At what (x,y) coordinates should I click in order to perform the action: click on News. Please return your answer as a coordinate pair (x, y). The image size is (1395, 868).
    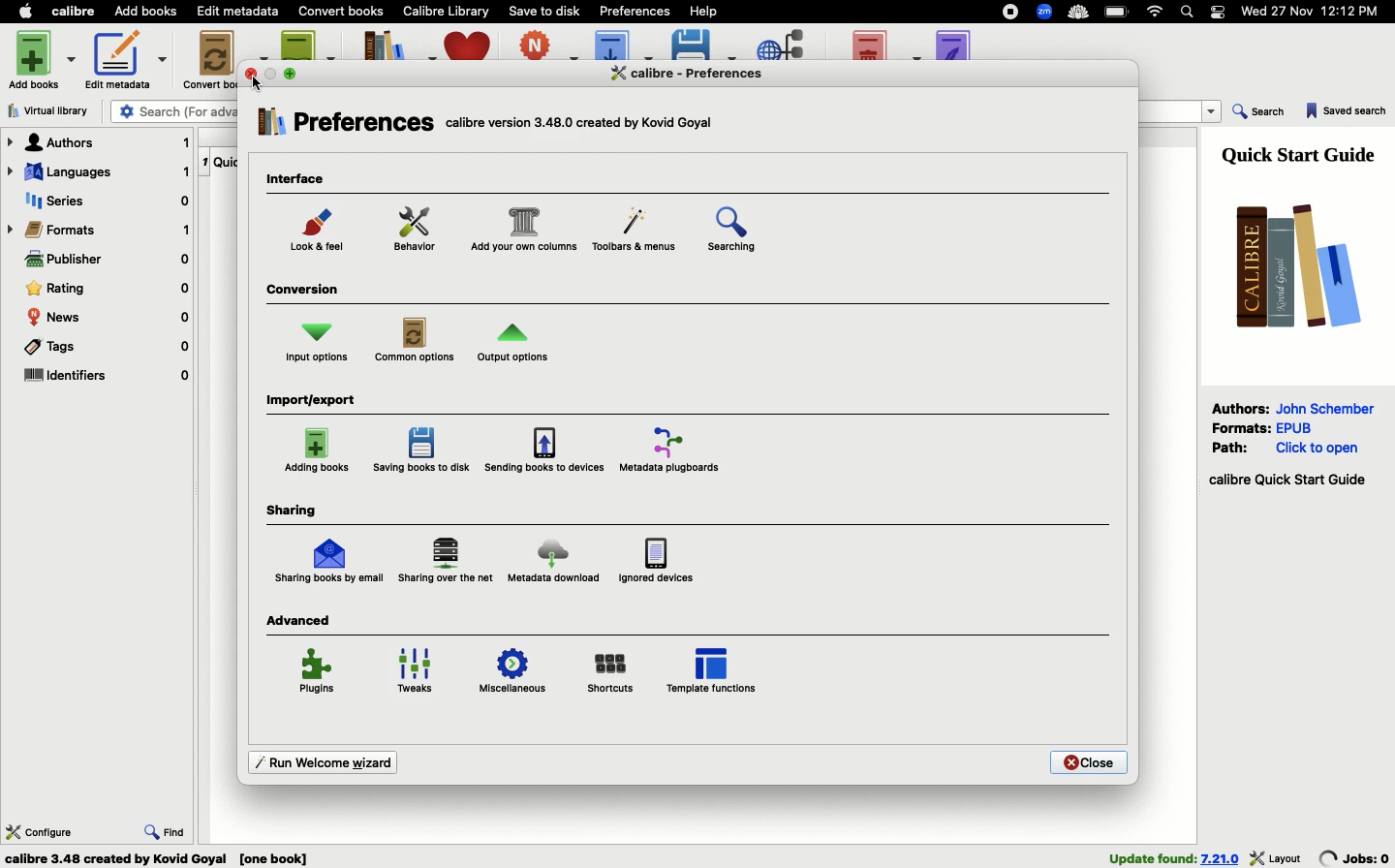
    Looking at the image, I should click on (108, 318).